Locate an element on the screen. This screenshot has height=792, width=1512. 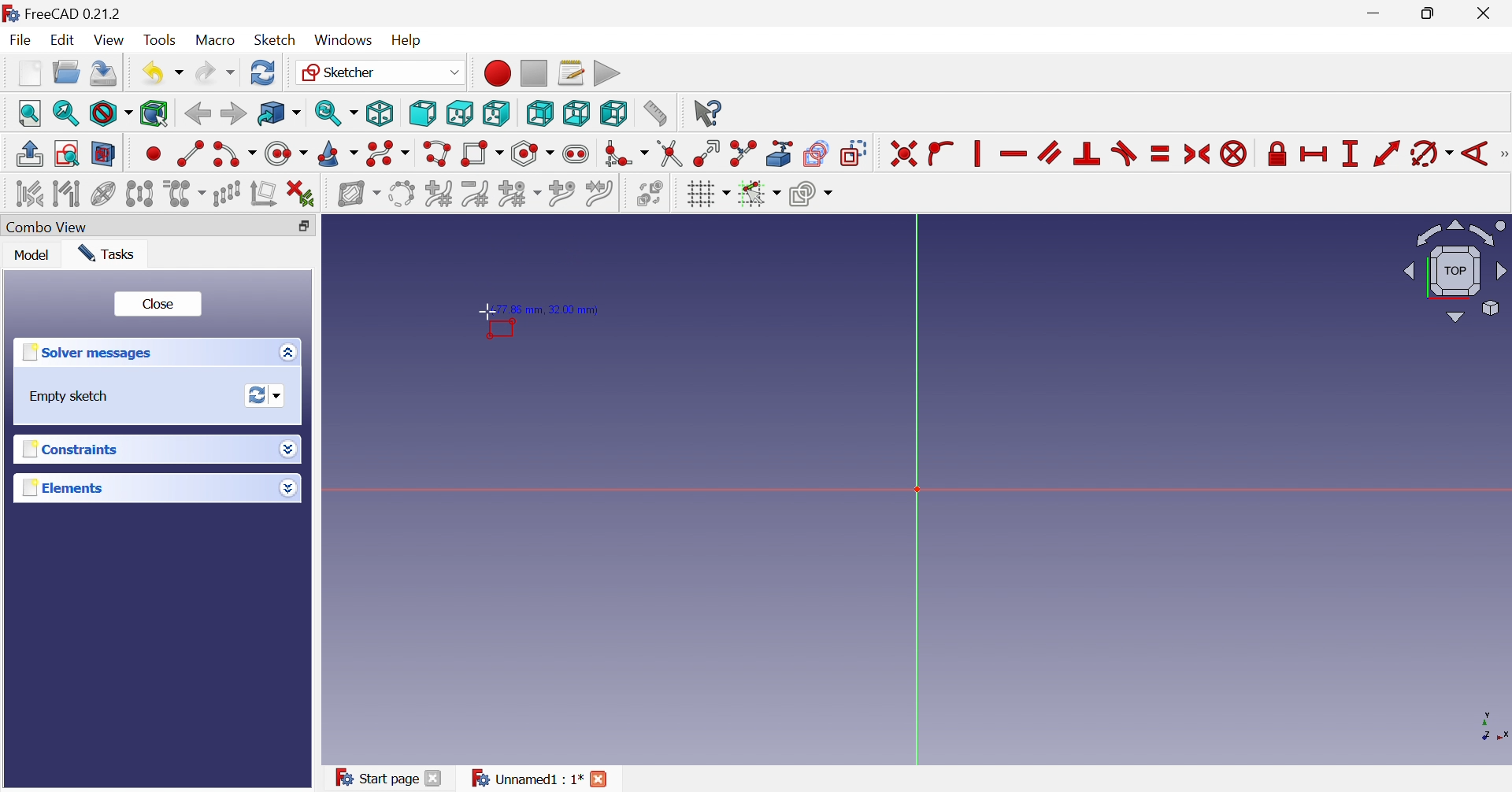
Tools is located at coordinates (160, 39).